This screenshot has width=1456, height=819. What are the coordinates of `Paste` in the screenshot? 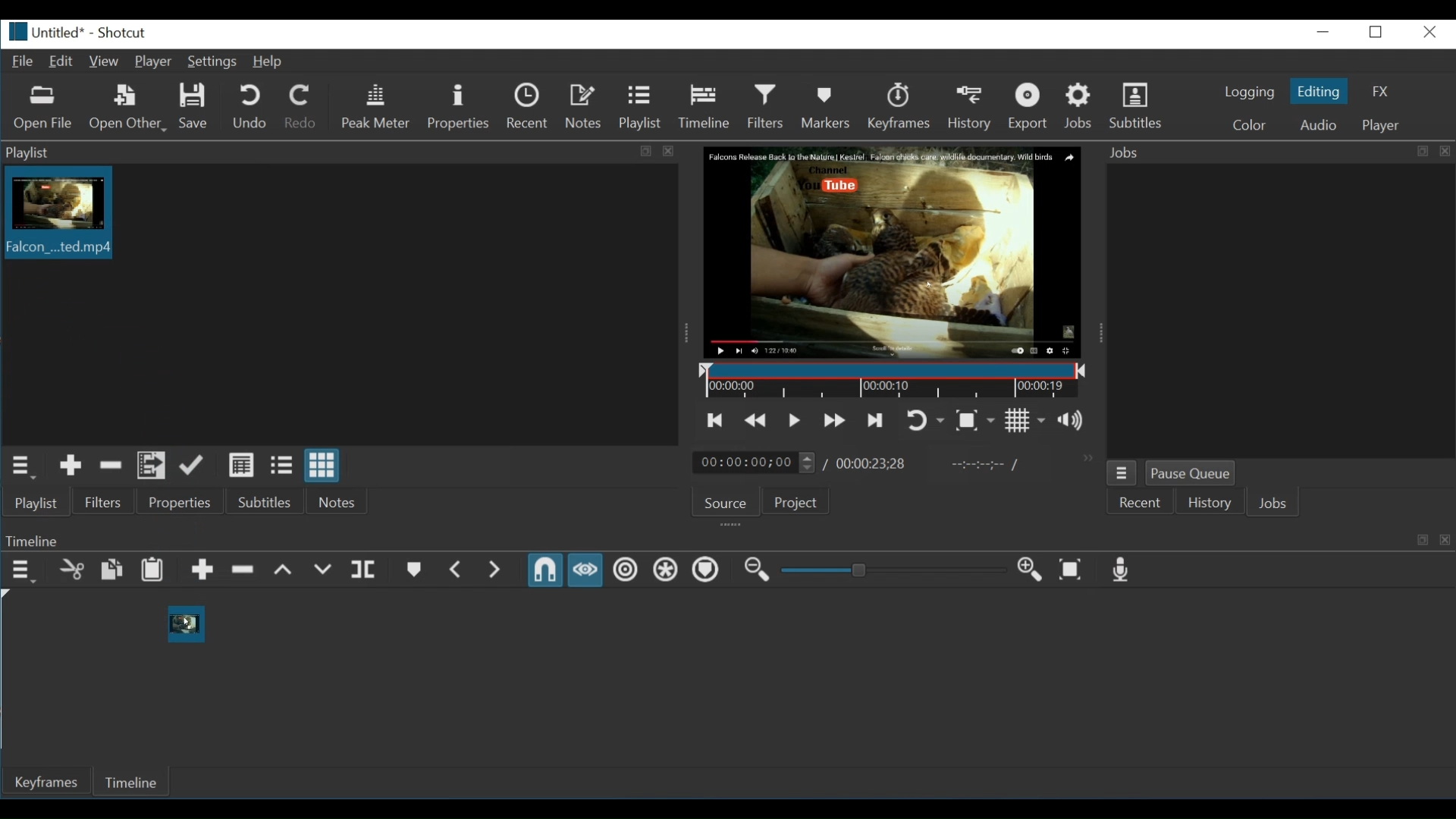 It's located at (152, 570).